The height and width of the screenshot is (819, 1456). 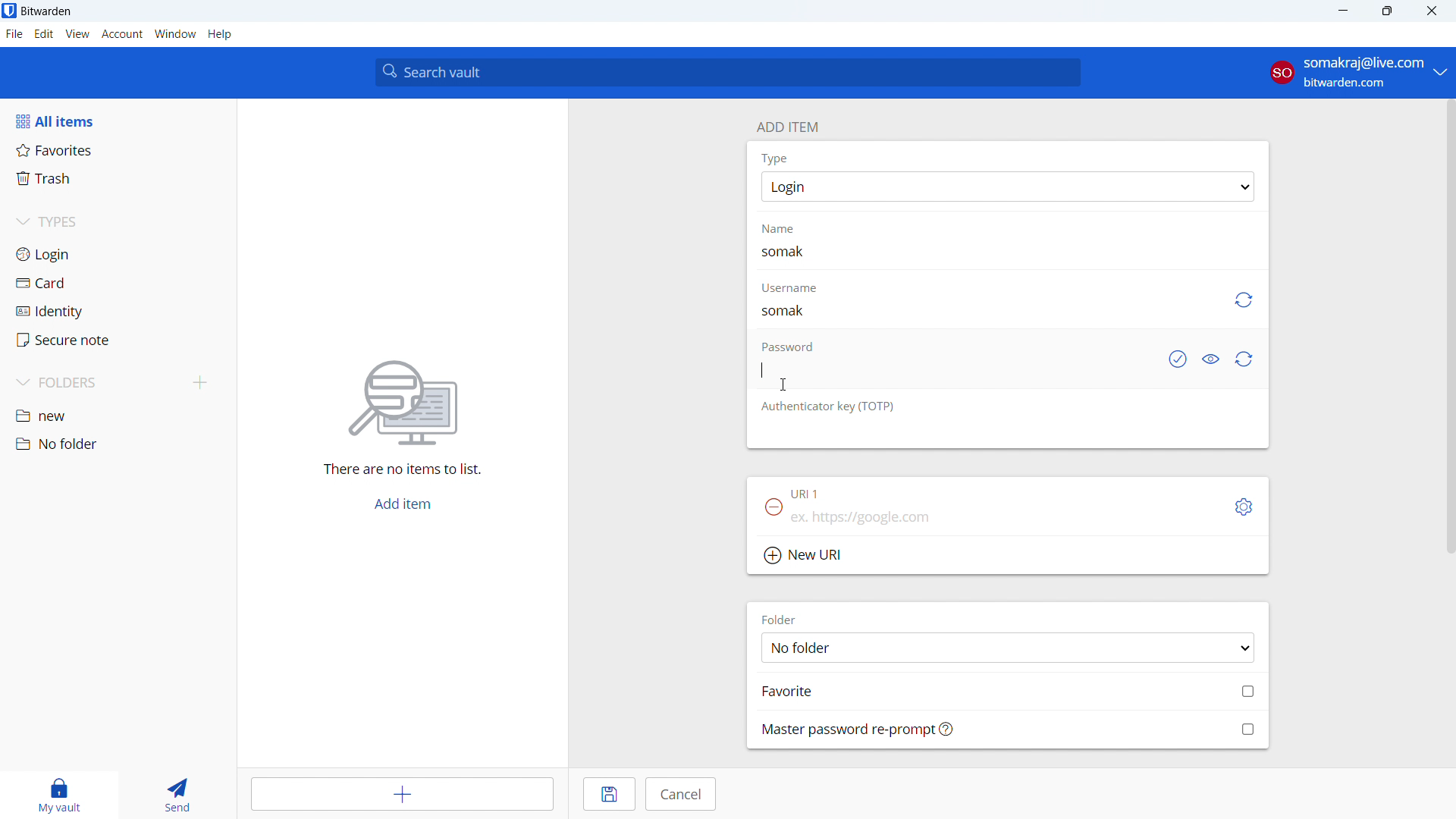 What do you see at coordinates (761, 369) in the screenshot?
I see `password typing started` at bounding box center [761, 369].